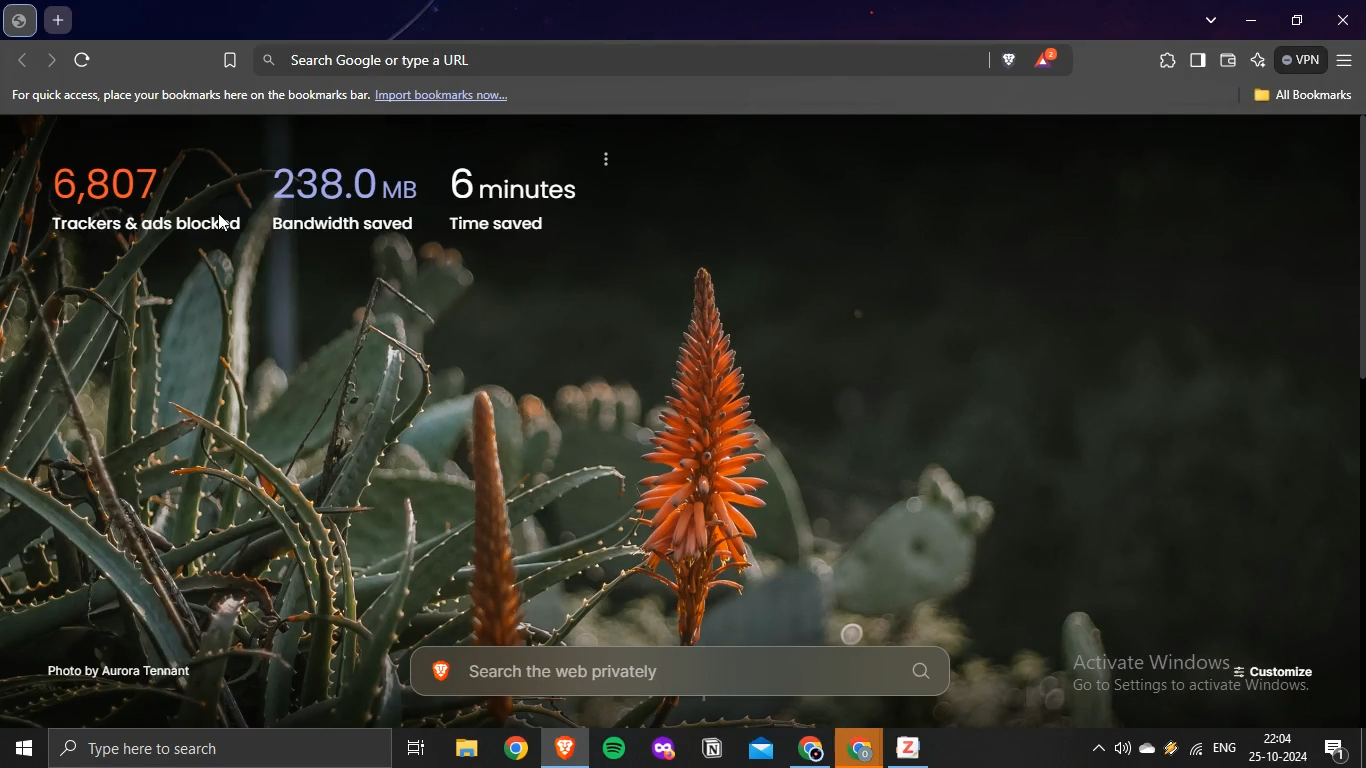  Describe the element at coordinates (471, 748) in the screenshot. I see `file explorer` at that location.